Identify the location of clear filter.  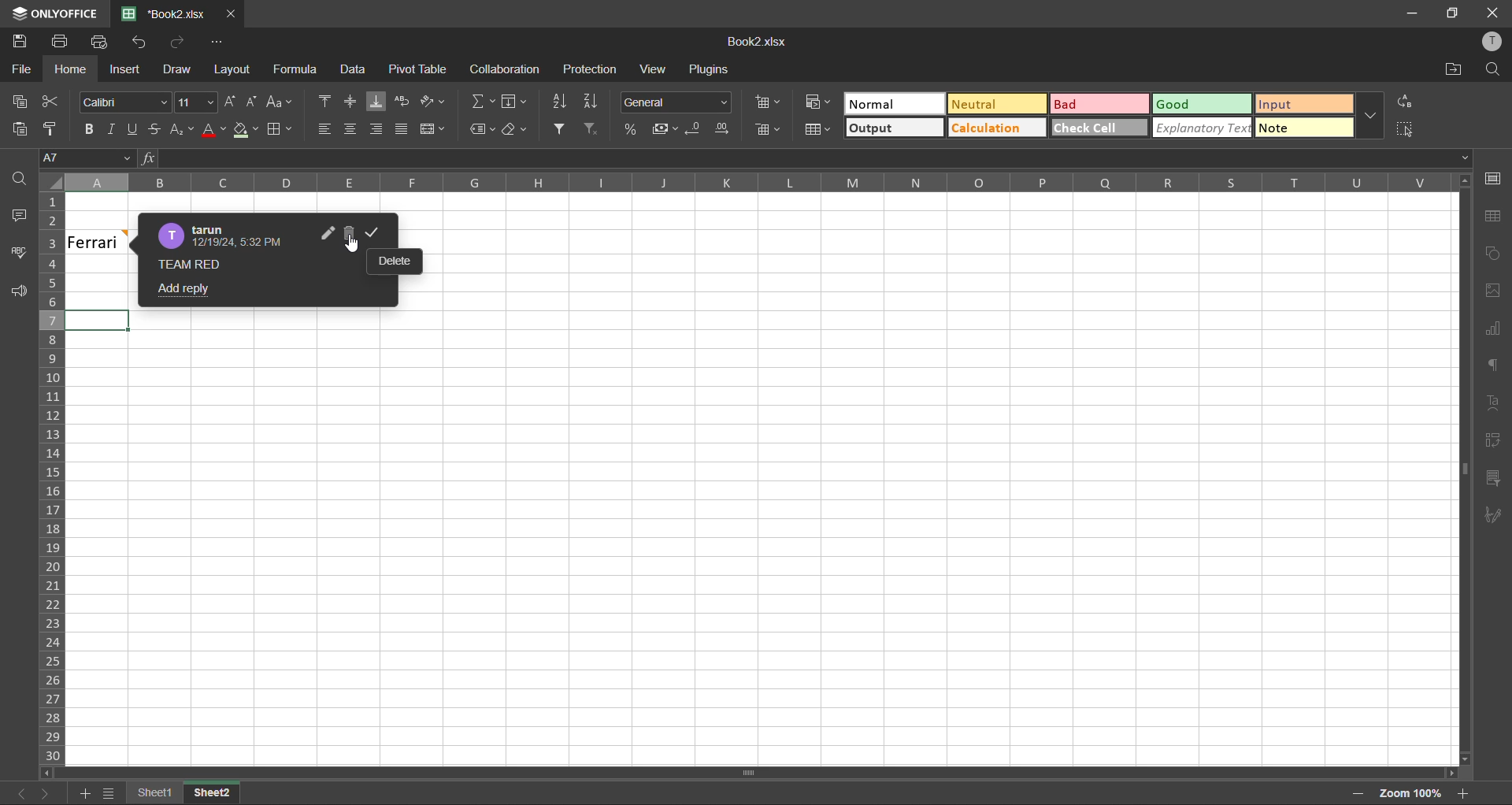
(589, 129).